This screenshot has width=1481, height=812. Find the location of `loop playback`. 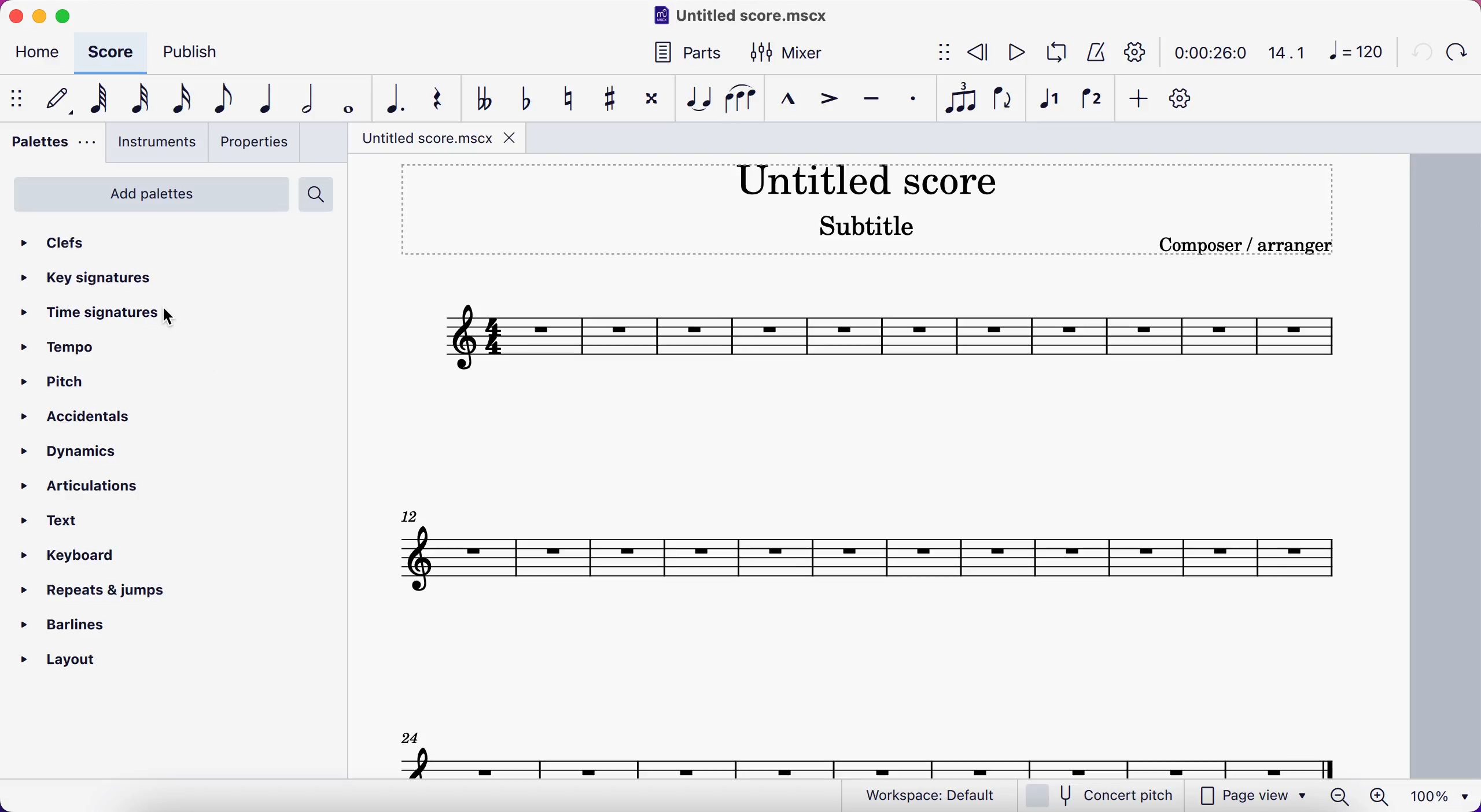

loop playback is located at coordinates (1052, 53).